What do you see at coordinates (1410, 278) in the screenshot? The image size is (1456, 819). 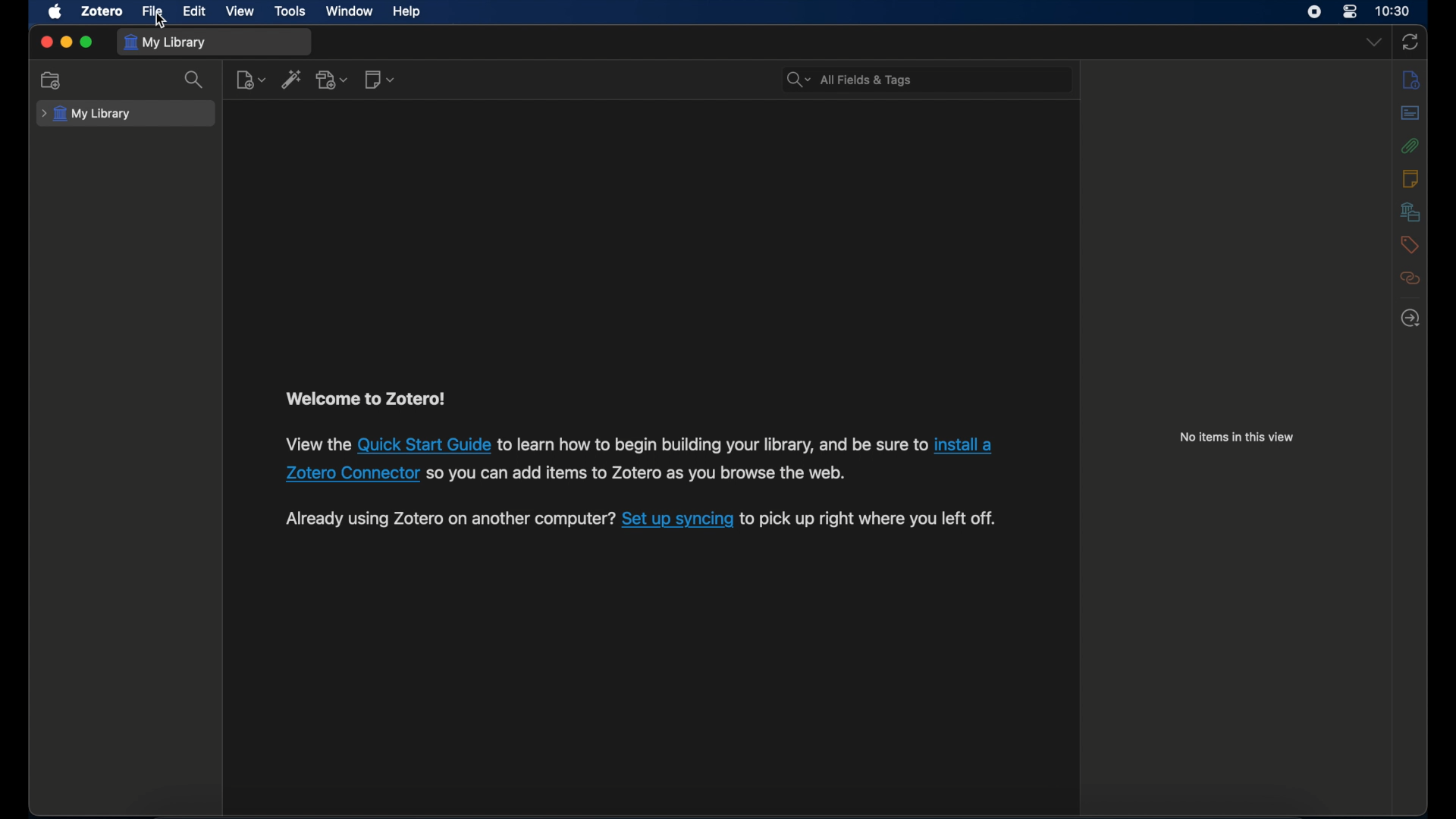 I see `related` at bounding box center [1410, 278].